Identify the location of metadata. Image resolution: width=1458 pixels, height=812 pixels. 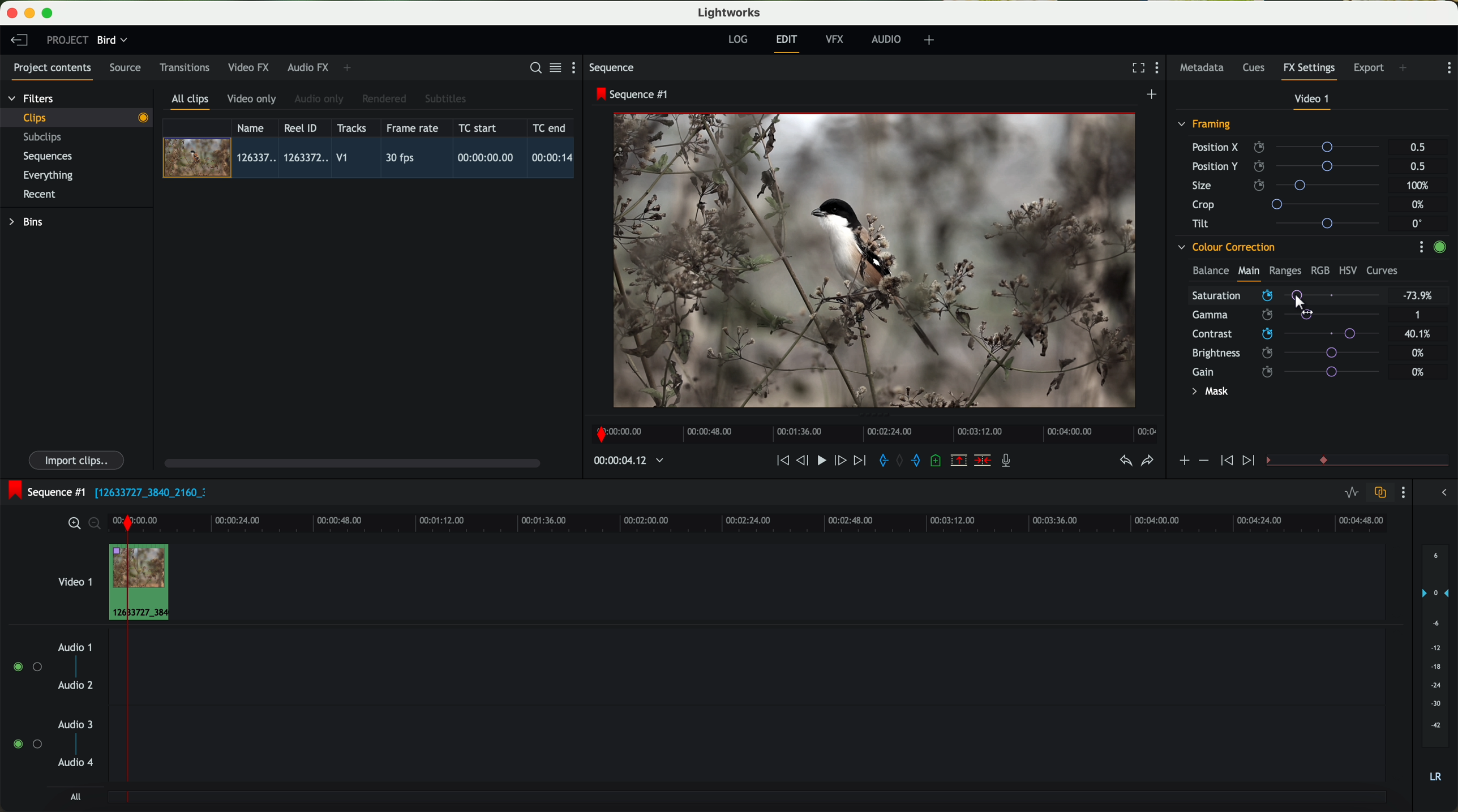
(1204, 68).